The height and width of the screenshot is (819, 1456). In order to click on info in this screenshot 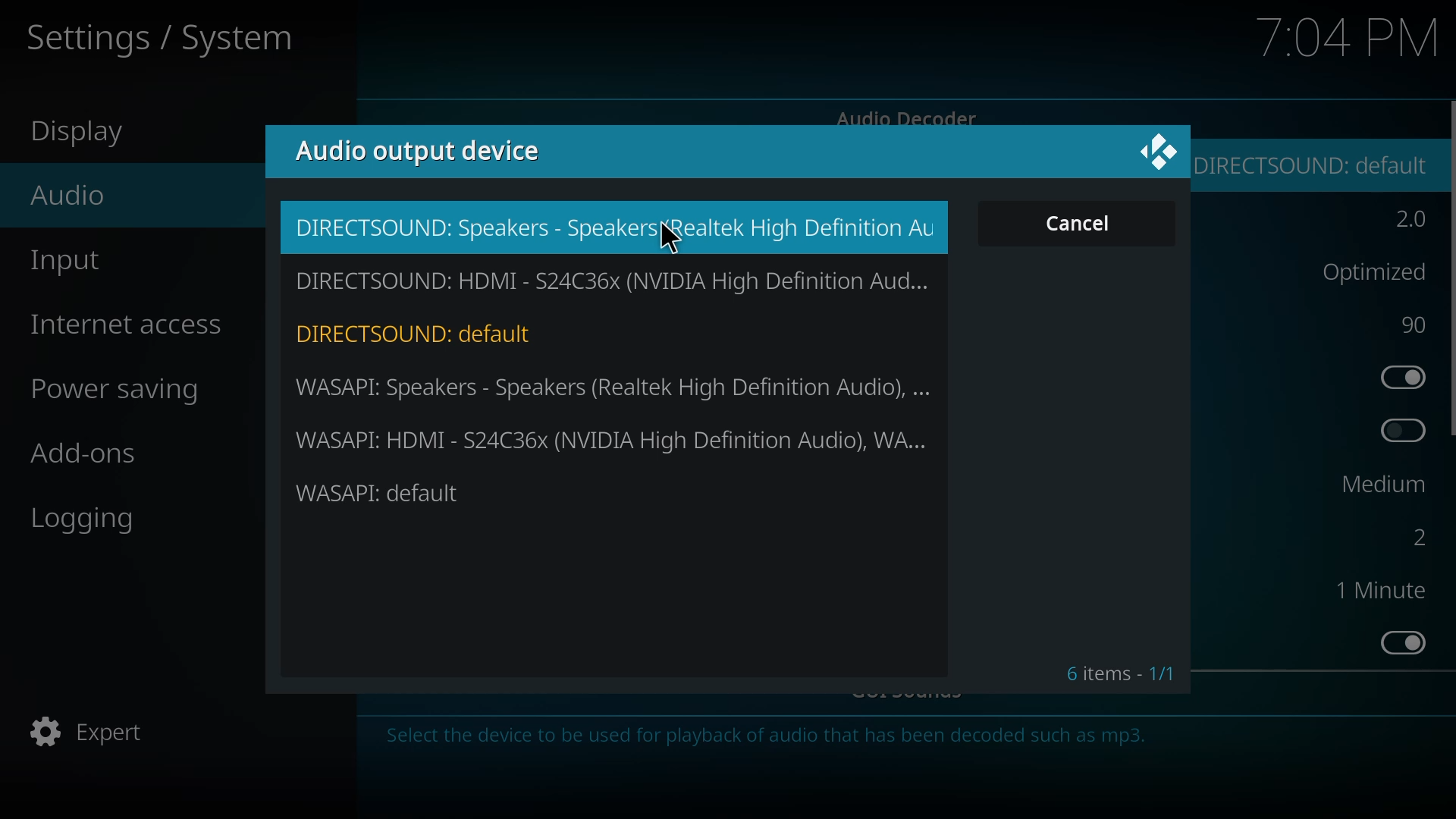, I will do `click(770, 740)`.